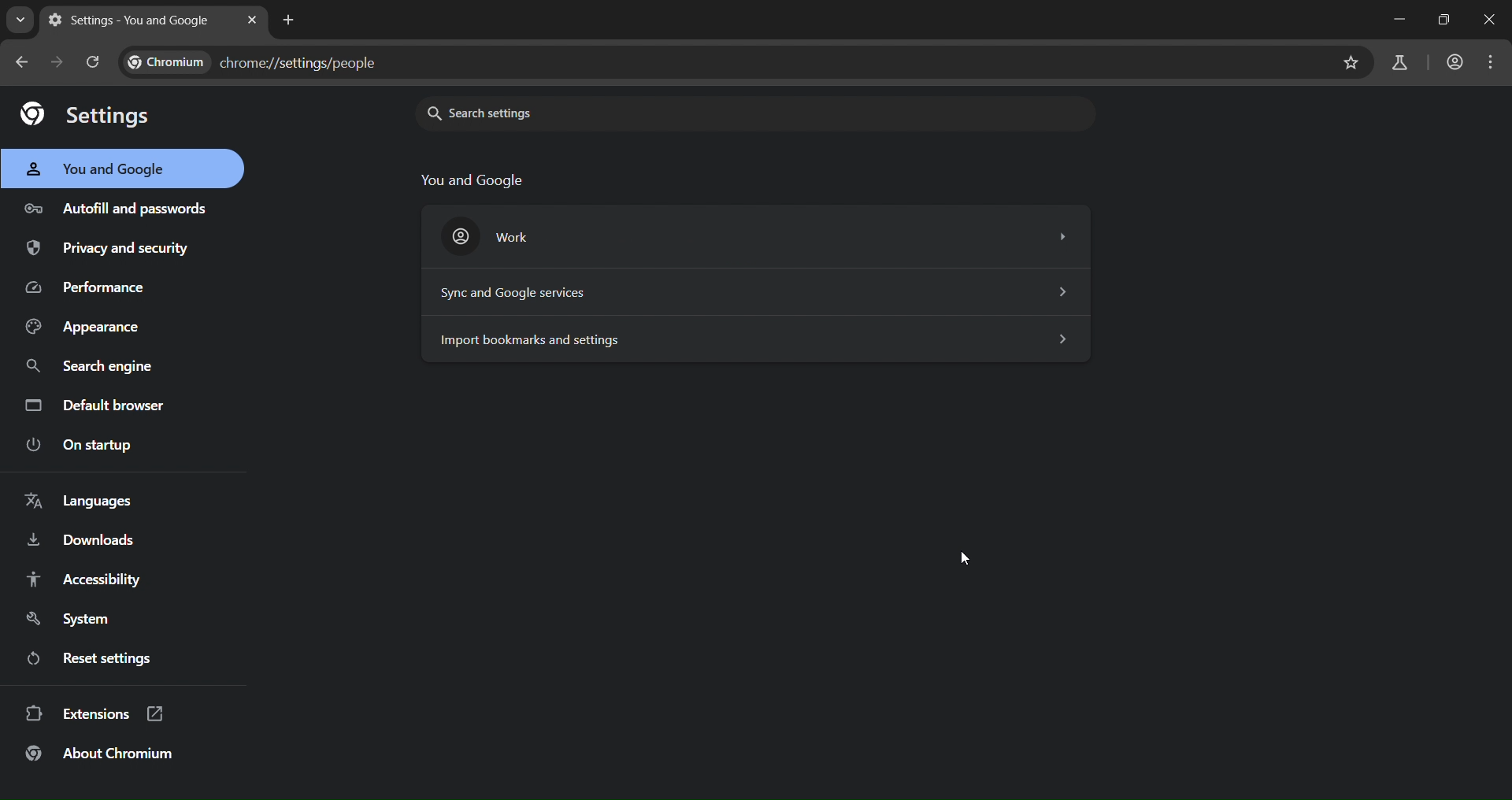 The height and width of the screenshot is (800, 1512). What do you see at coordinates (1497, 61) in the screenshot?
I see `menu` at bounding box center [1497, 61].